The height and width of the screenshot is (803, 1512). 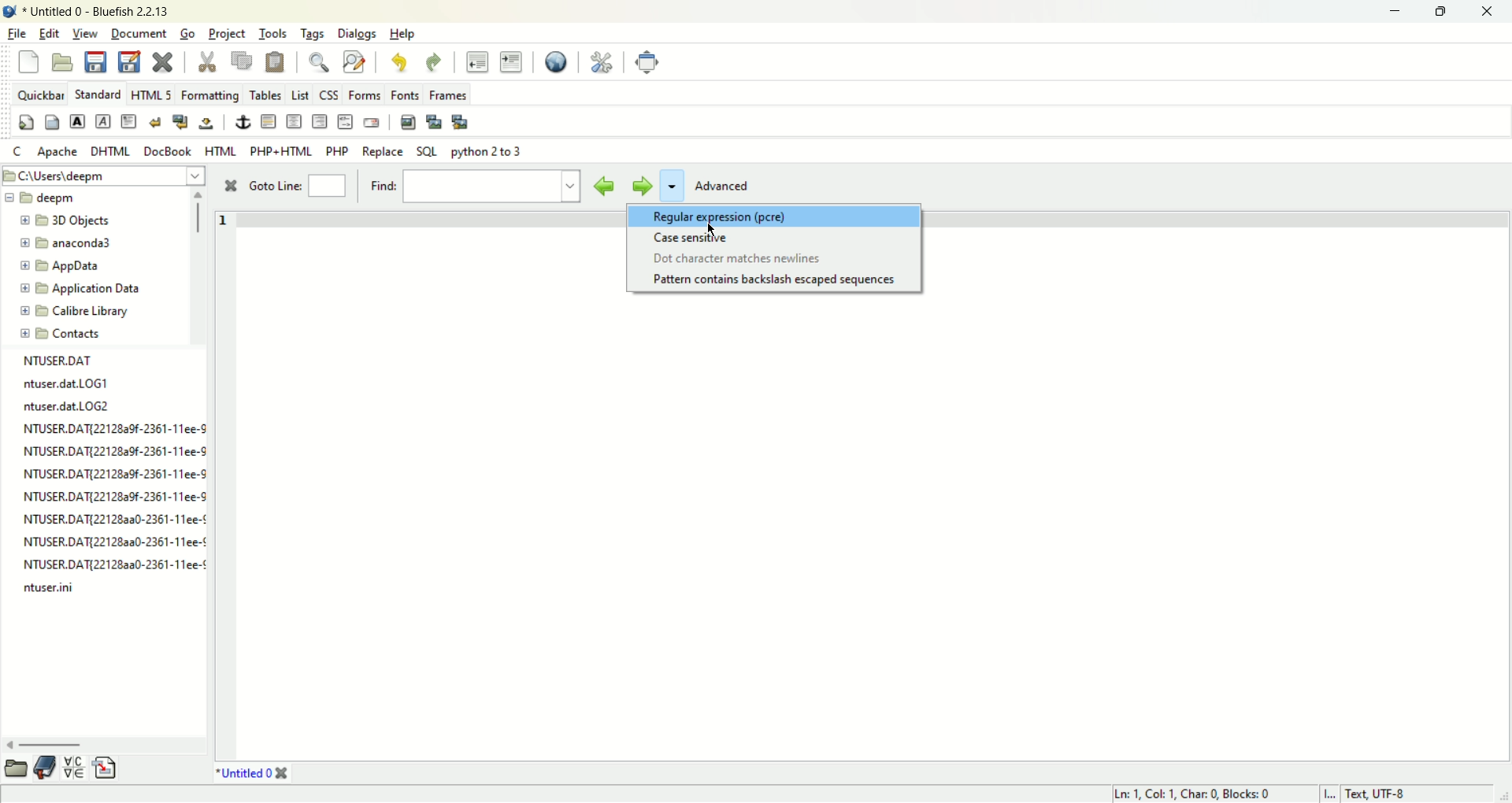 I want to click on advance find and replace, so click(x=354, y=61).